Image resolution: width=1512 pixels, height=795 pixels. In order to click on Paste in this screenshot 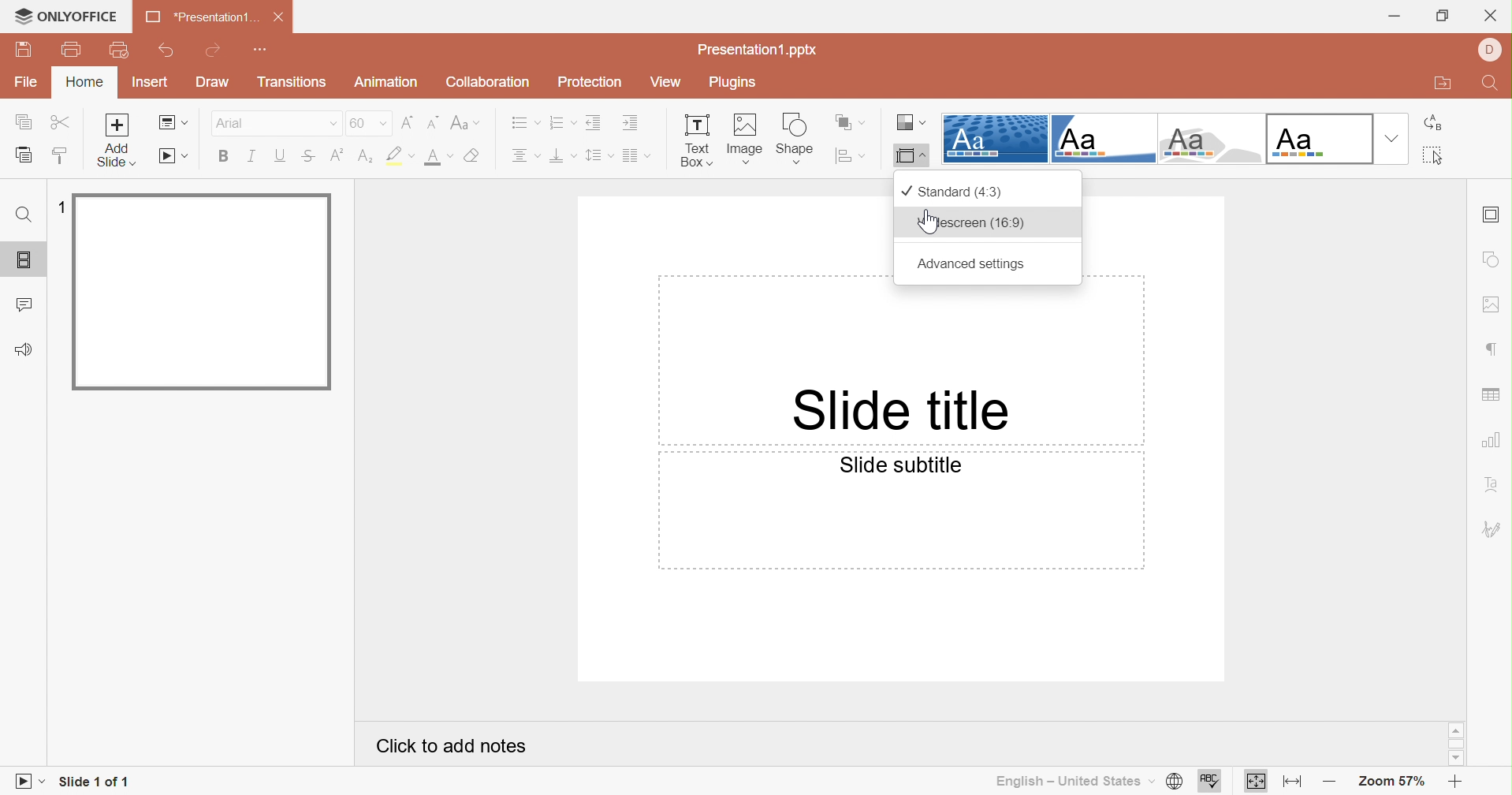, I will do `click(27, 157)`.